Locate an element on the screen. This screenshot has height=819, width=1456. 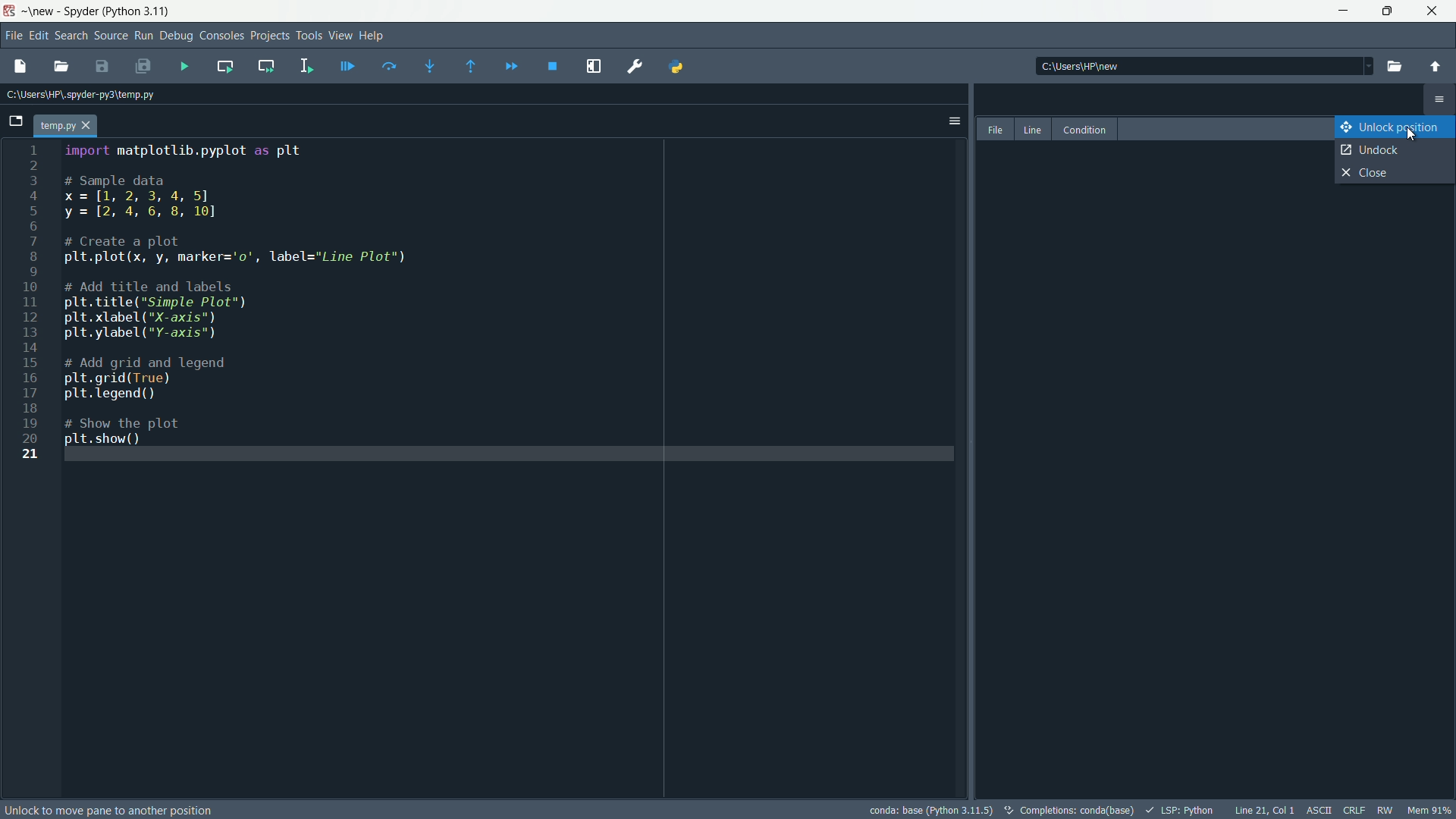
edit menu is located at coordinates (40, 34).